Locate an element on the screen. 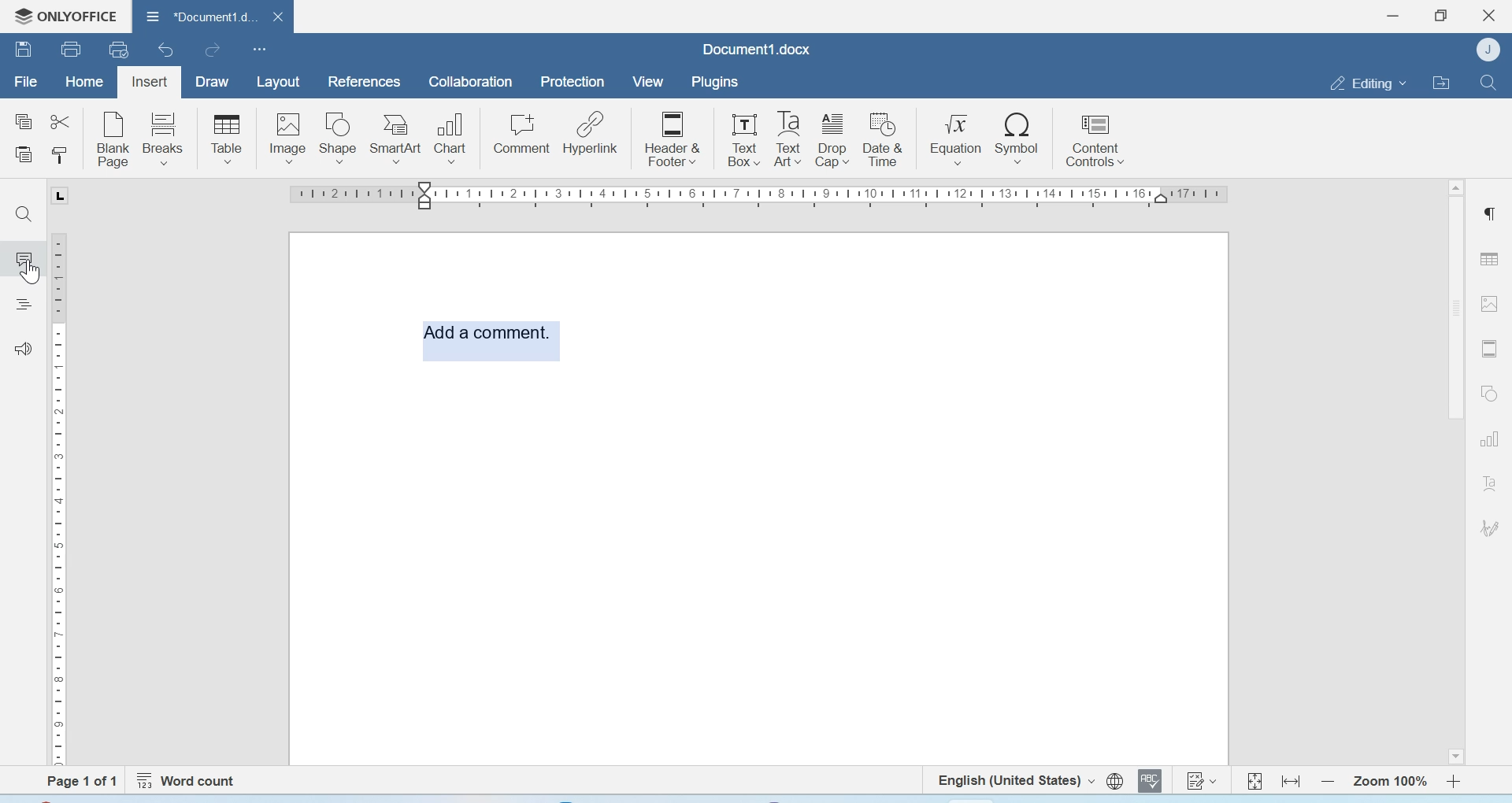 The height and width of the screenshot is (803, 1512). Content controls is located at coordinates (1094, 138).